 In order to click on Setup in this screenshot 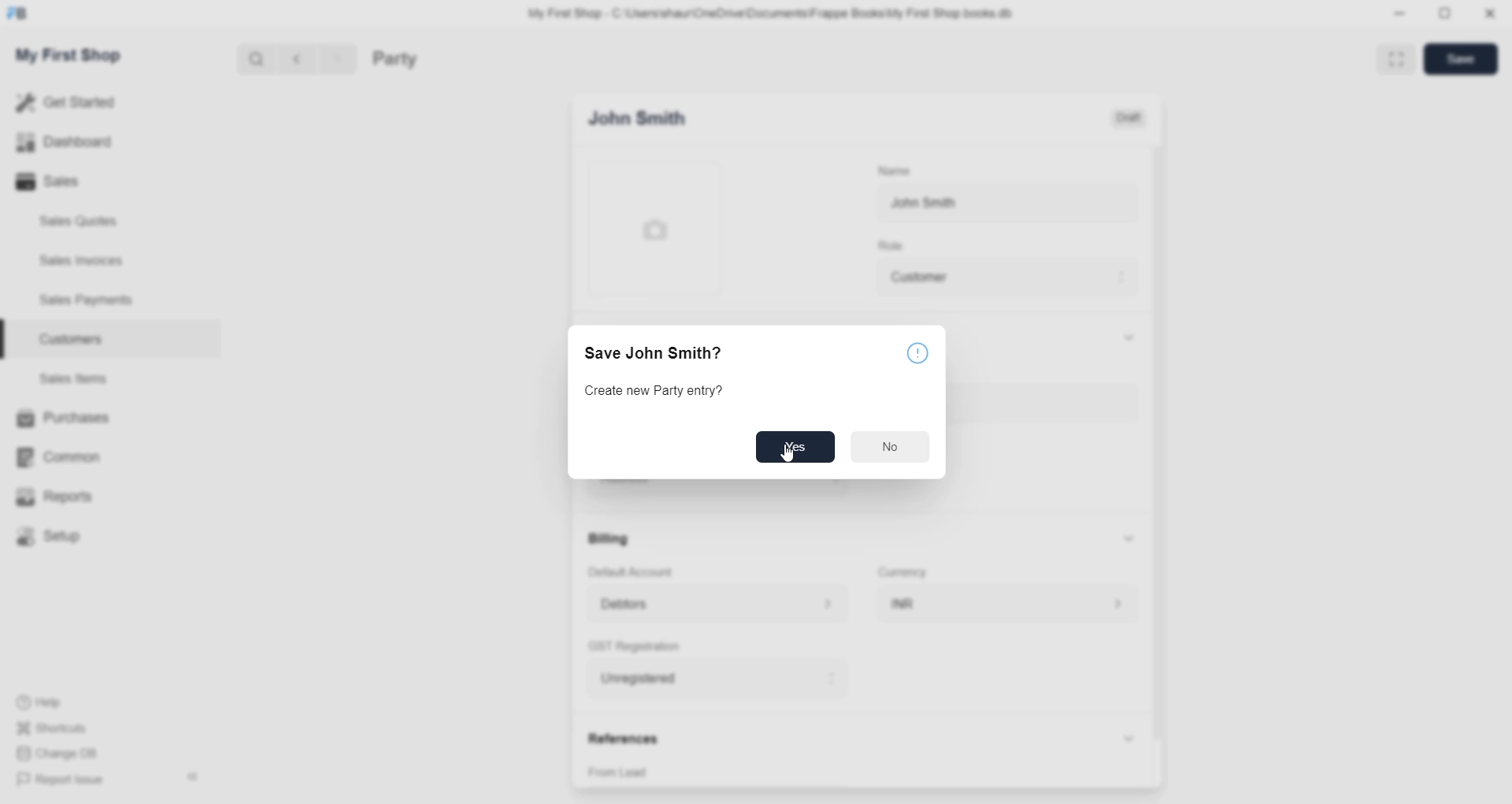, I will do `click(53, 534)`.